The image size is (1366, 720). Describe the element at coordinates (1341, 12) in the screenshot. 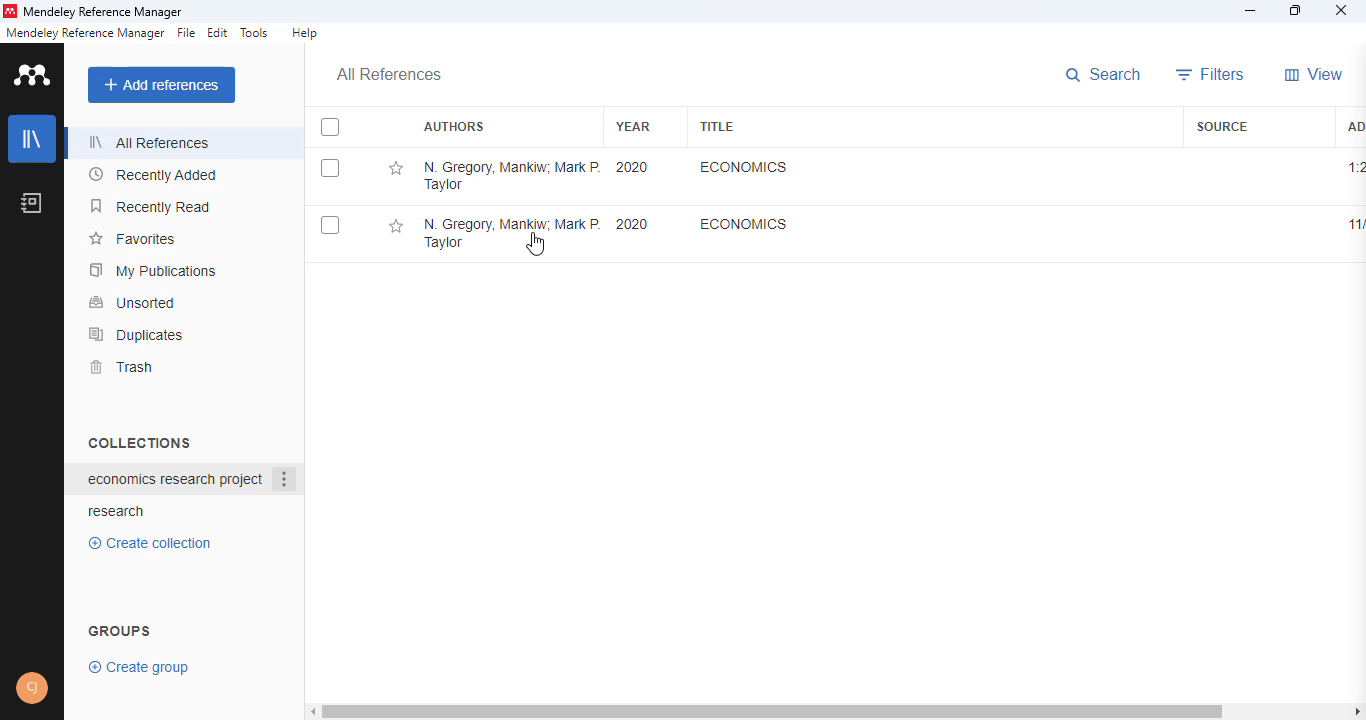

I see `close` at that location.